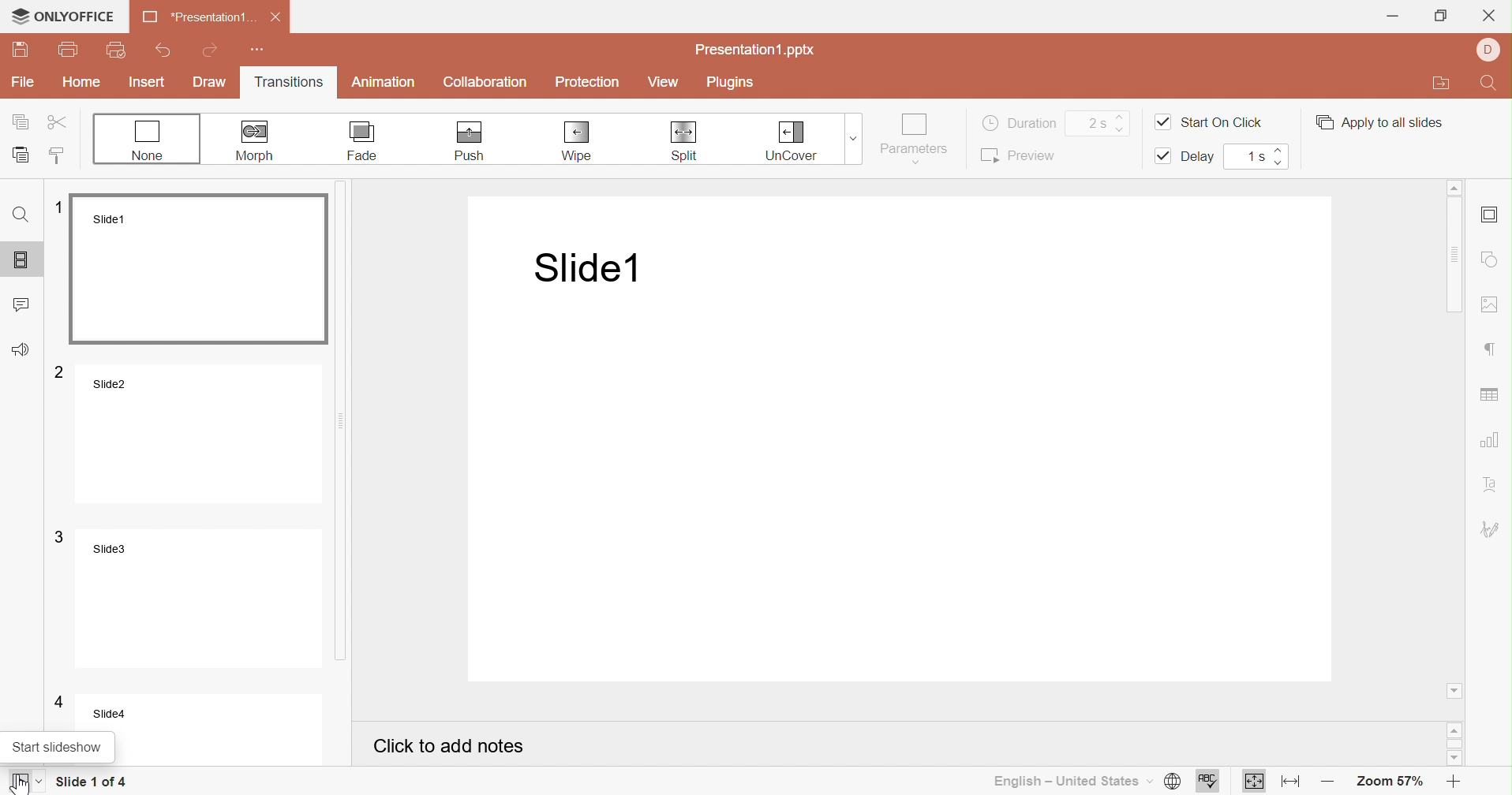 The image size is (1512, 795). I want to click on Slide1, so click(202, 269).